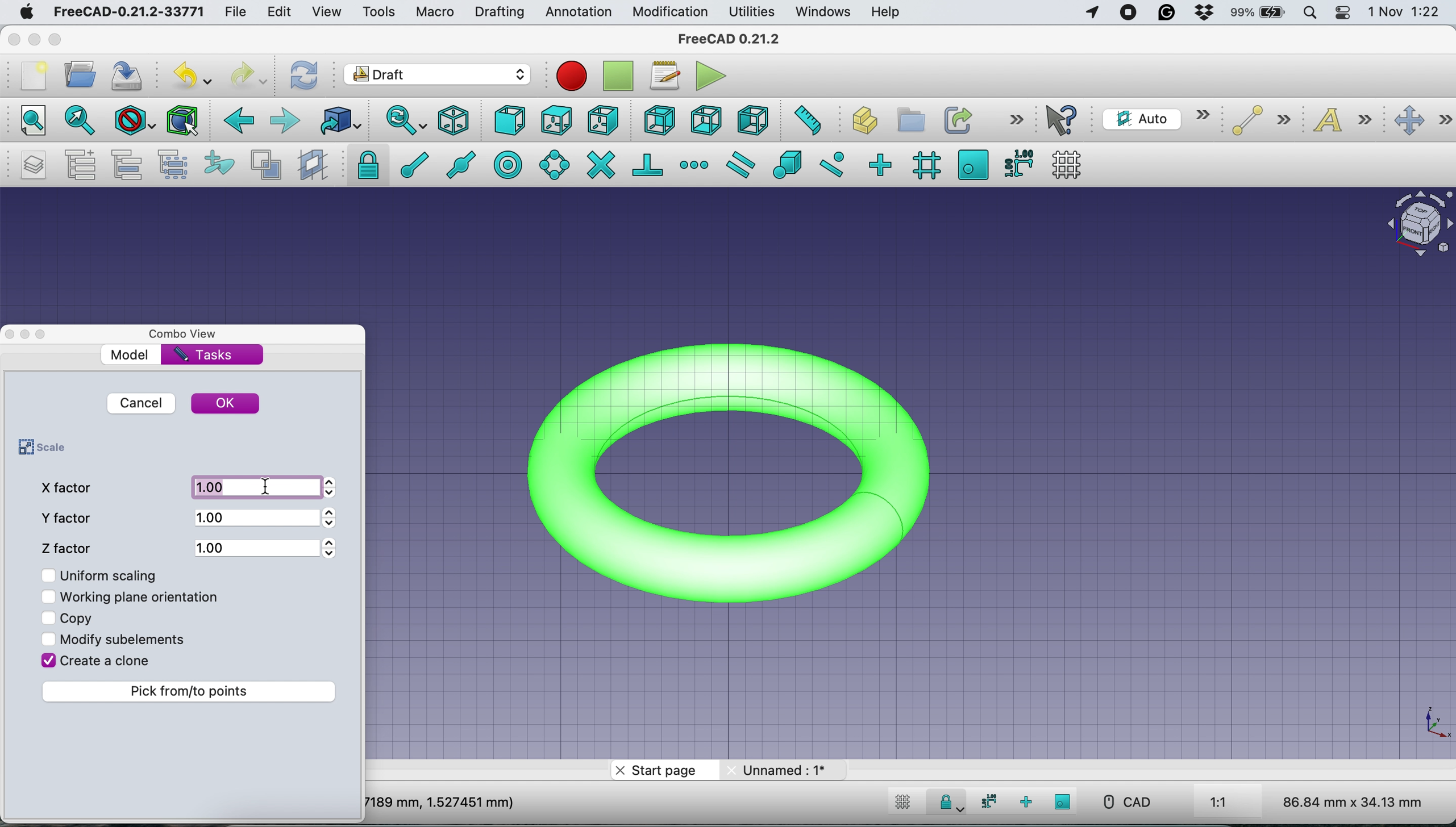  Describe the element at coordinates (215, 165) in the screenshot. I see `add to construction group` at that location.